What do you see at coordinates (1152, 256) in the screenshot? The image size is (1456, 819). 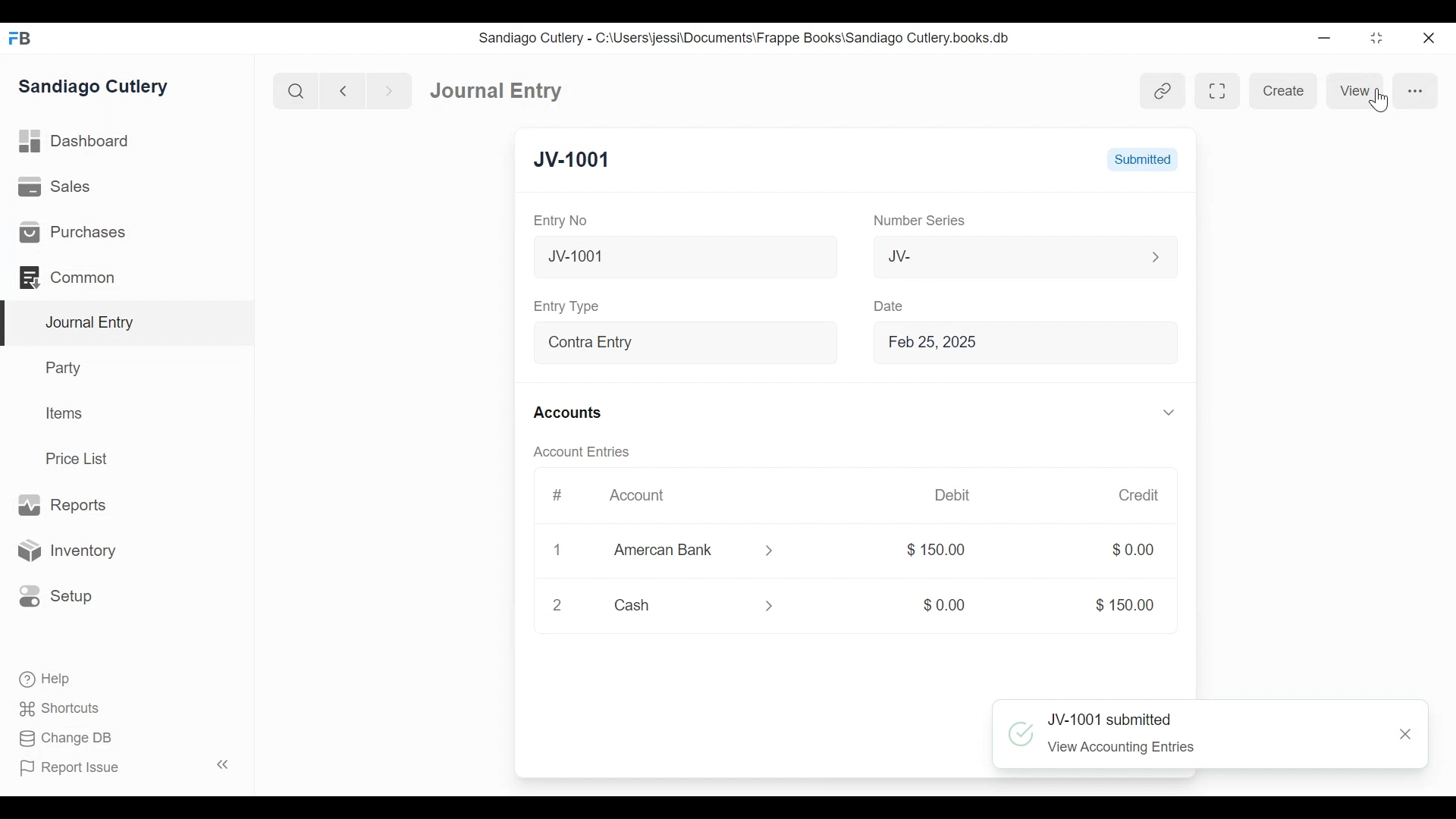 I see `Expand` at bounding box center [1152, 256].